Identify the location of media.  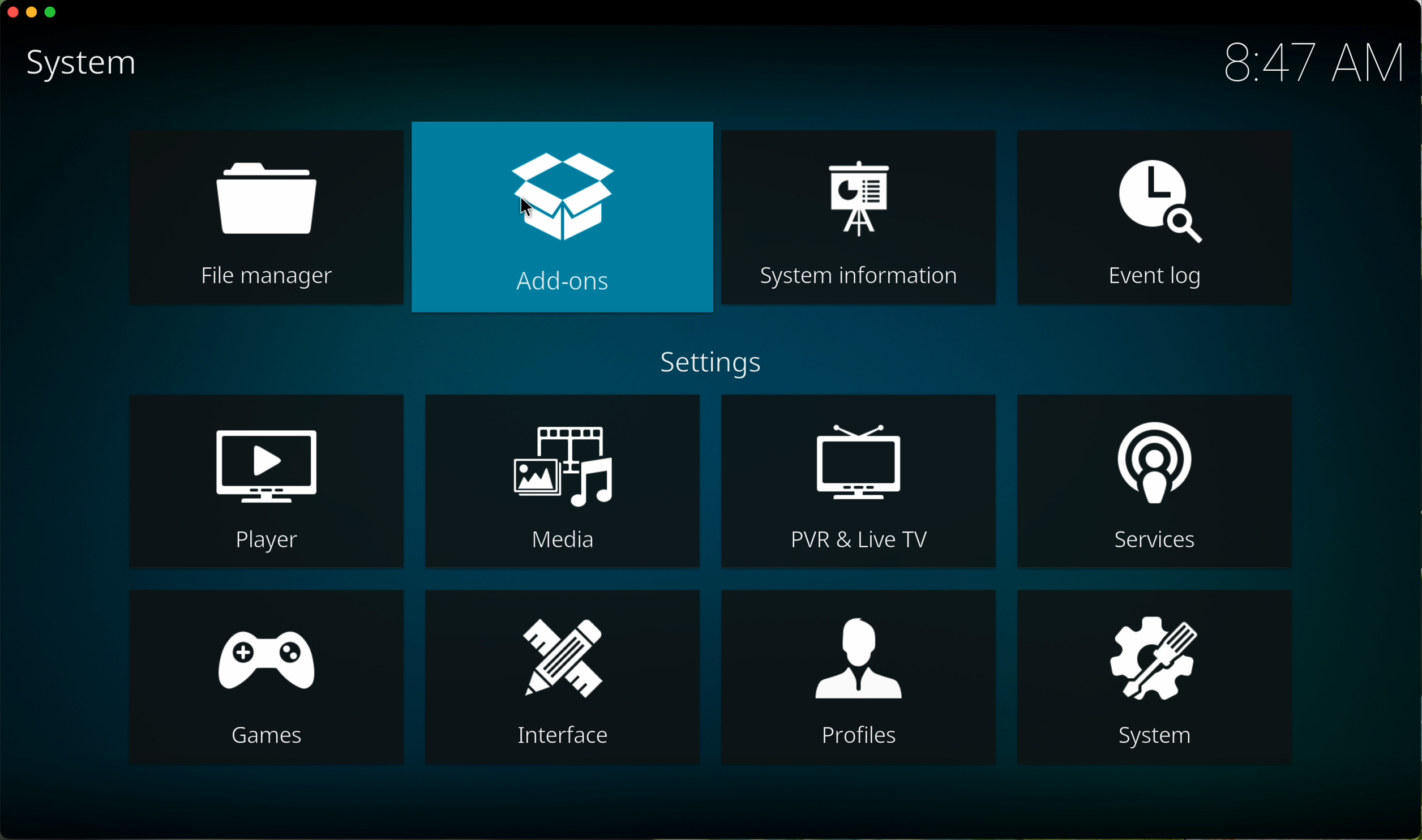
(563, 482).